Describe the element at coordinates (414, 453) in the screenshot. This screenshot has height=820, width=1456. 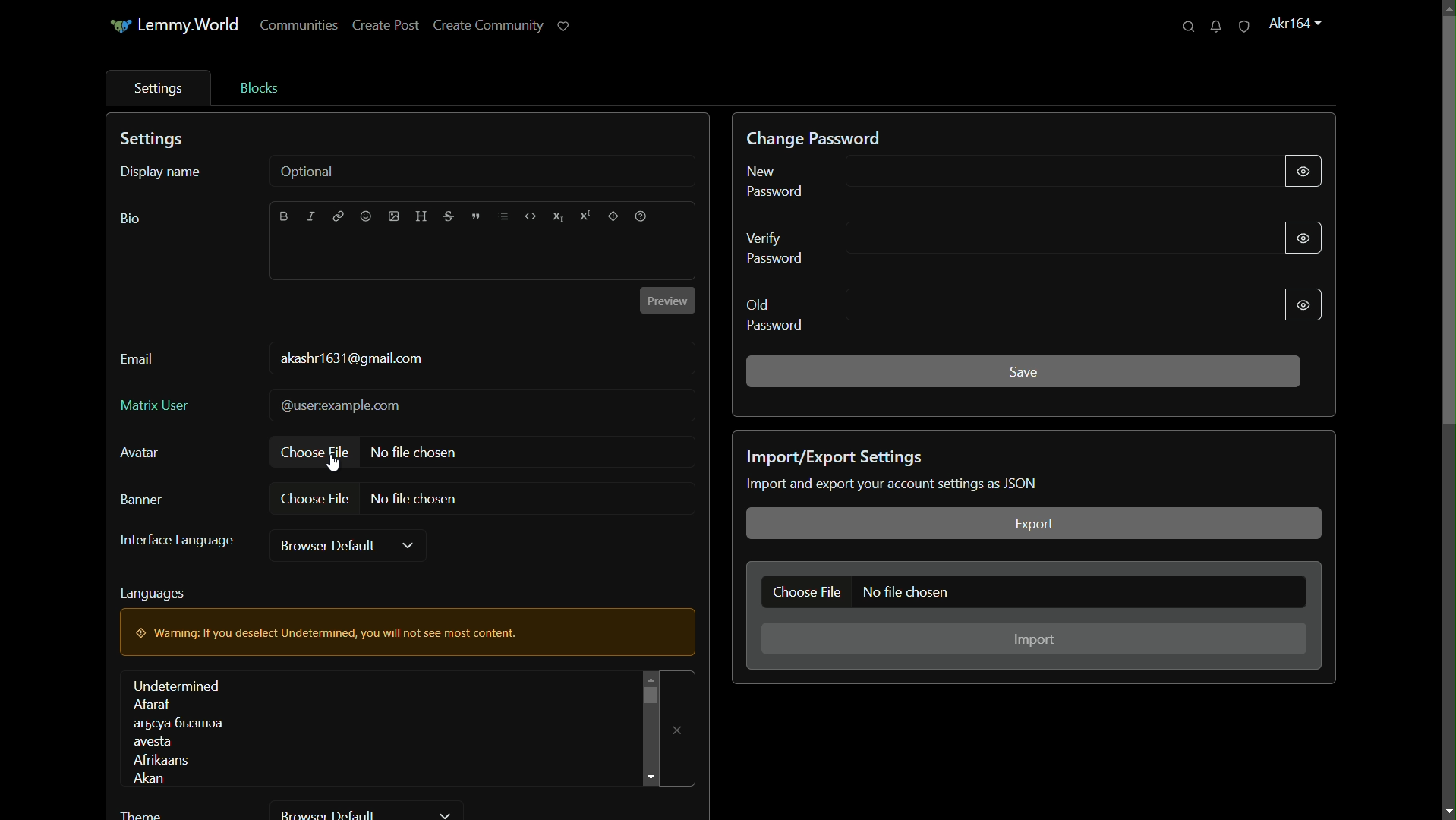
I see `no file chosen` at that location.